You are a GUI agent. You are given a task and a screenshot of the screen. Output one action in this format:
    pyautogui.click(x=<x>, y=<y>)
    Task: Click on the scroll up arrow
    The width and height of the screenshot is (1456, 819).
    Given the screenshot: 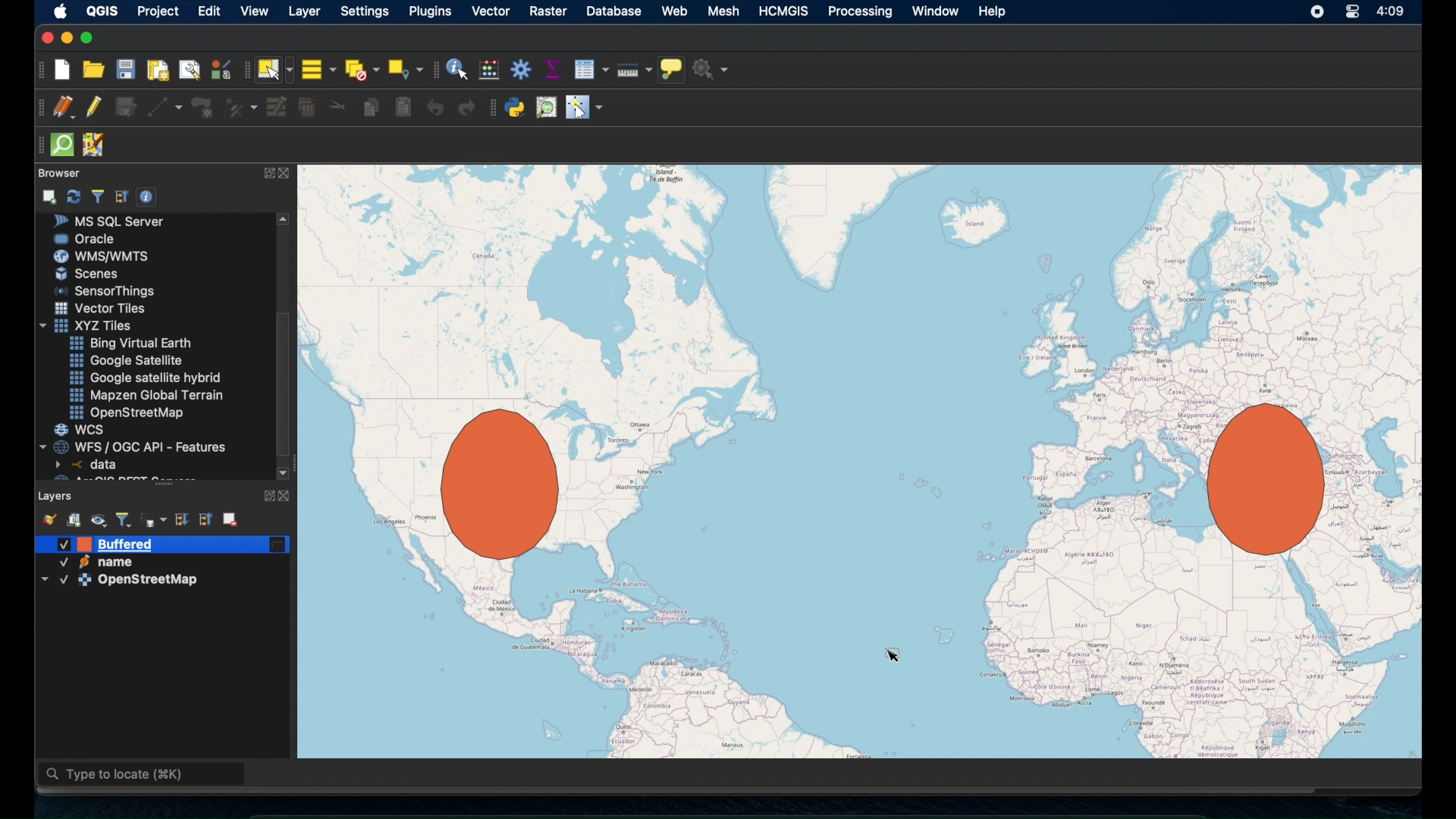 What is the action you would take?
    pyautogui.click(x=285, y=218)
    